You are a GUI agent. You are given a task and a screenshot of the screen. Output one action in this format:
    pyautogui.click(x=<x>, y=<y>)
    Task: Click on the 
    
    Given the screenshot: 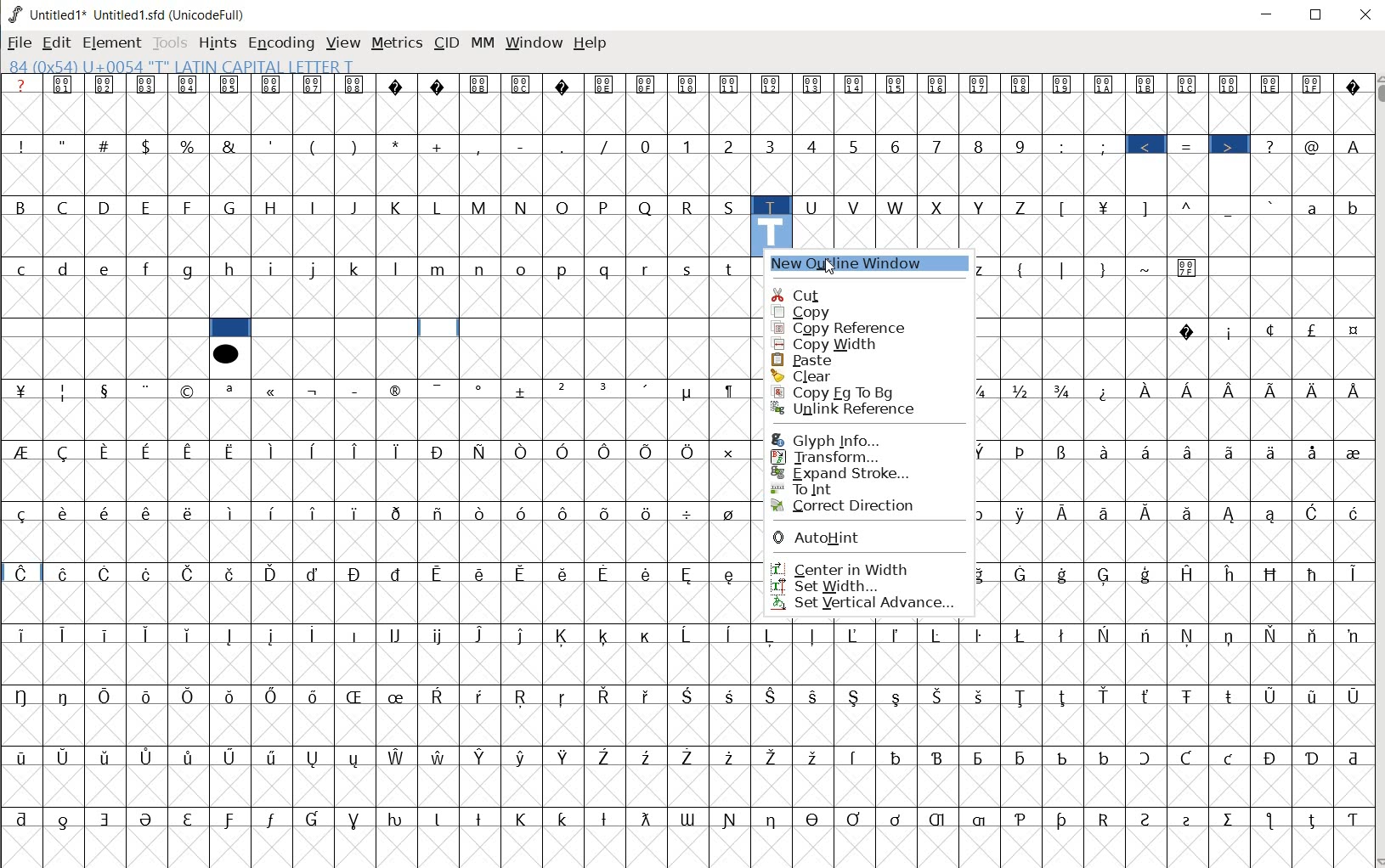 What is the action you would take?
    pyautogui.click(x=981, y=817)
    